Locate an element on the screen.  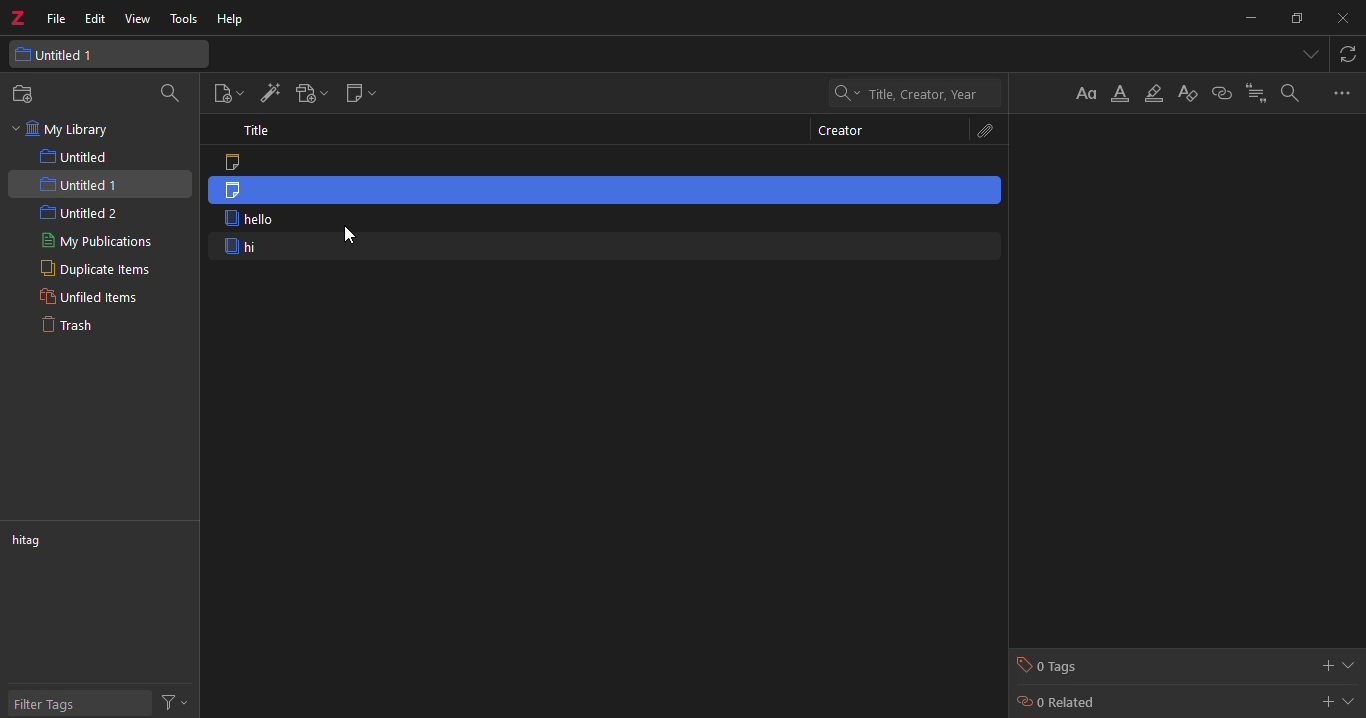
untitled is located at coordinates (76, 158).